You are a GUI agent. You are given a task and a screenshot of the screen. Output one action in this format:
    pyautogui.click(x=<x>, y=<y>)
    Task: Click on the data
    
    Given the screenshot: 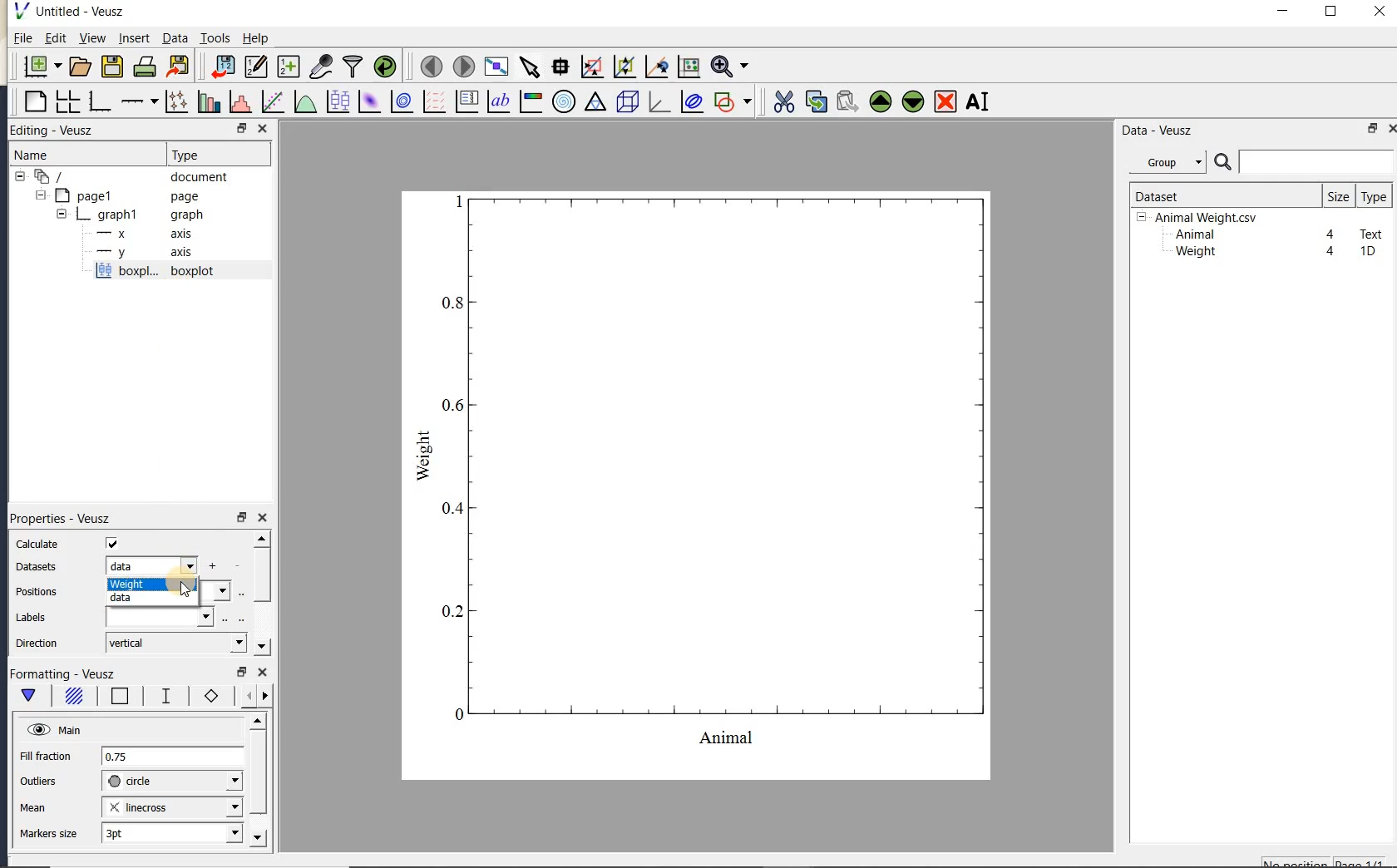 What is the action you would take?
    pyautogui.click(x=150, y=565)
    